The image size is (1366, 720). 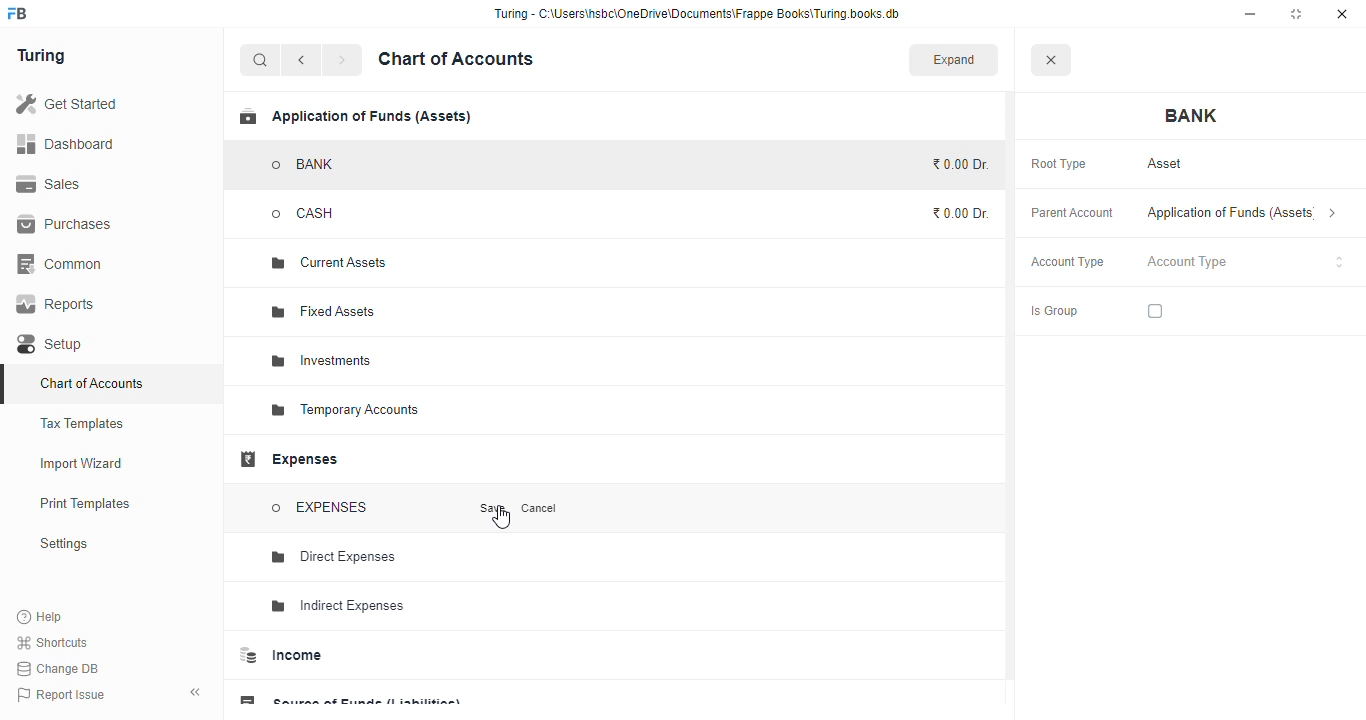 What do you see at coordinates (494, 508) in the screenshot?
I see `save` at bounding box center [494, 508].